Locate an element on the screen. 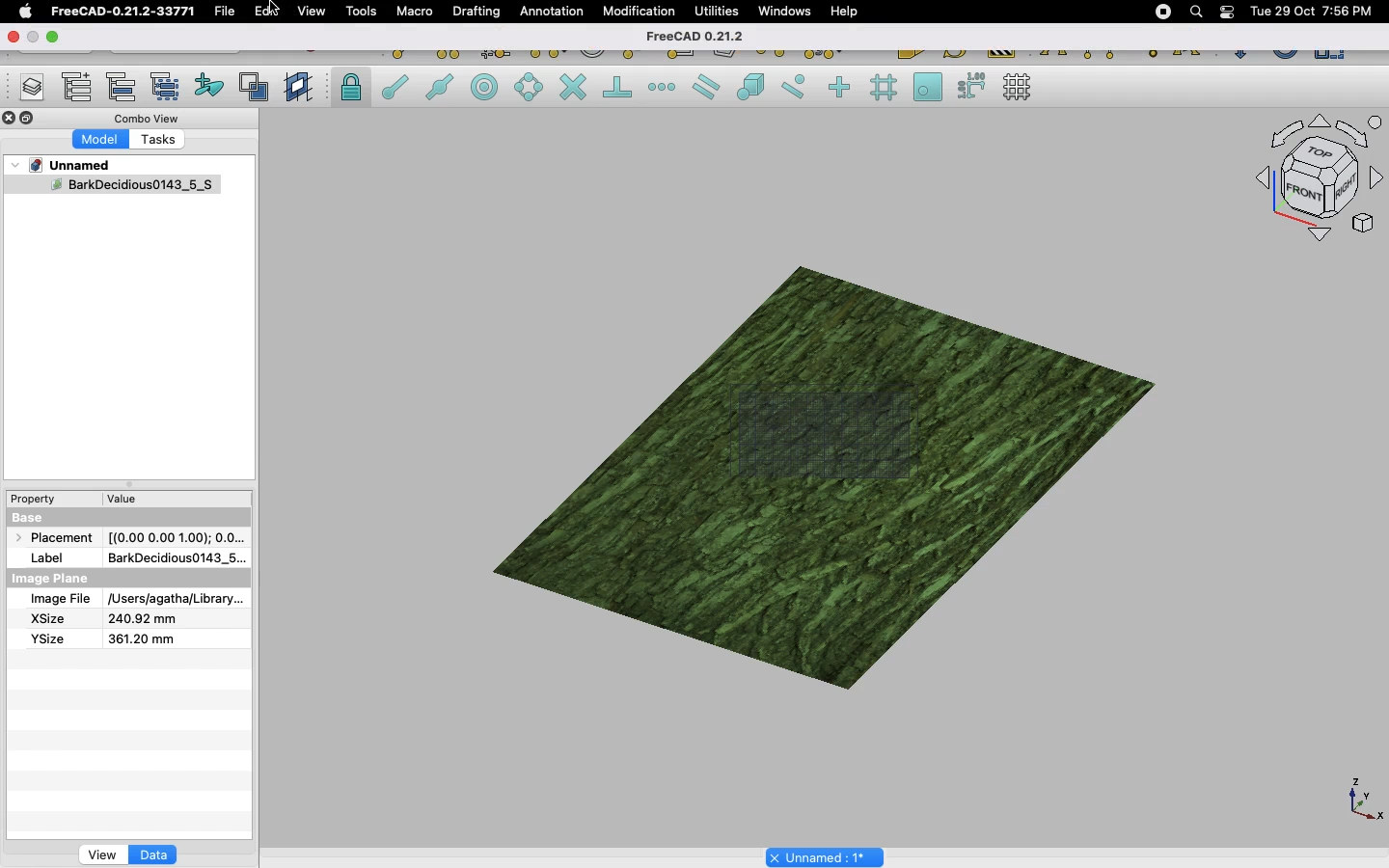 Image resolution: width=1389 pixels, height=868 pixels. Close is located at coordinates (10, 120).